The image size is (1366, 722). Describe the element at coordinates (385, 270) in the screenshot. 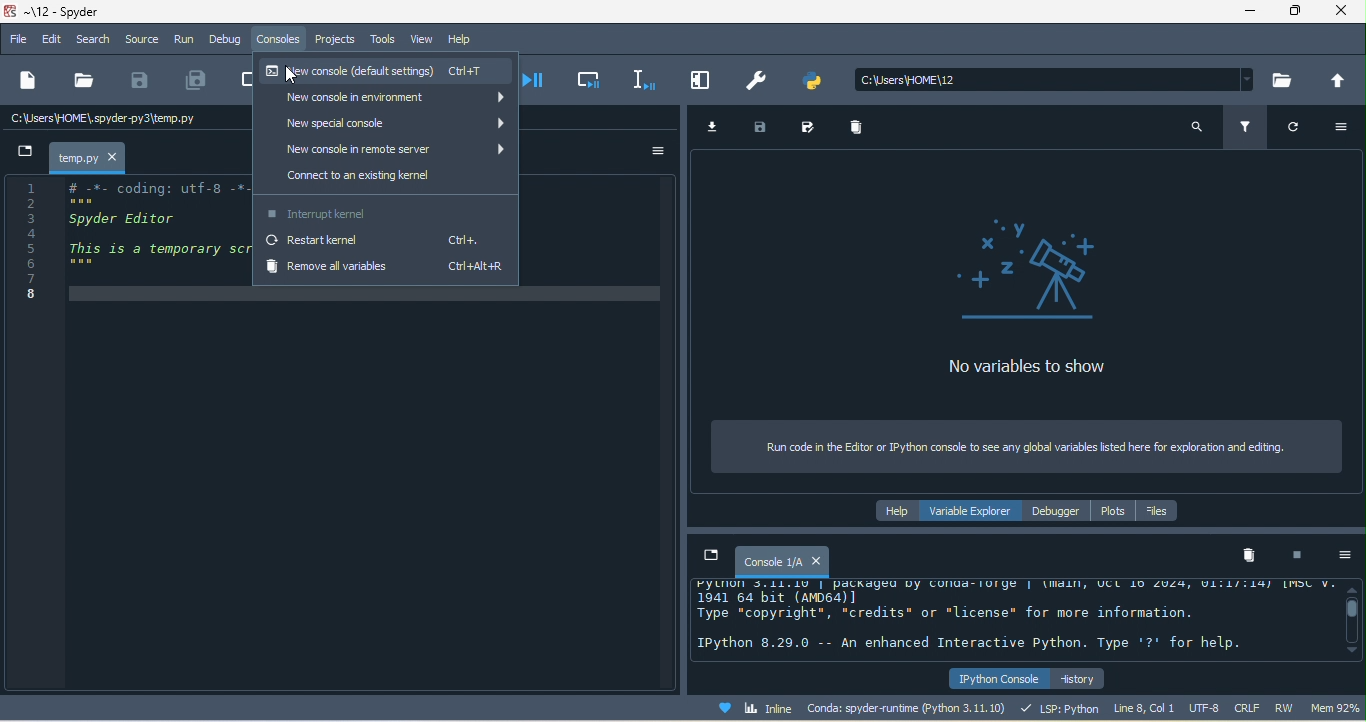

I see `remove all variables` at that location.